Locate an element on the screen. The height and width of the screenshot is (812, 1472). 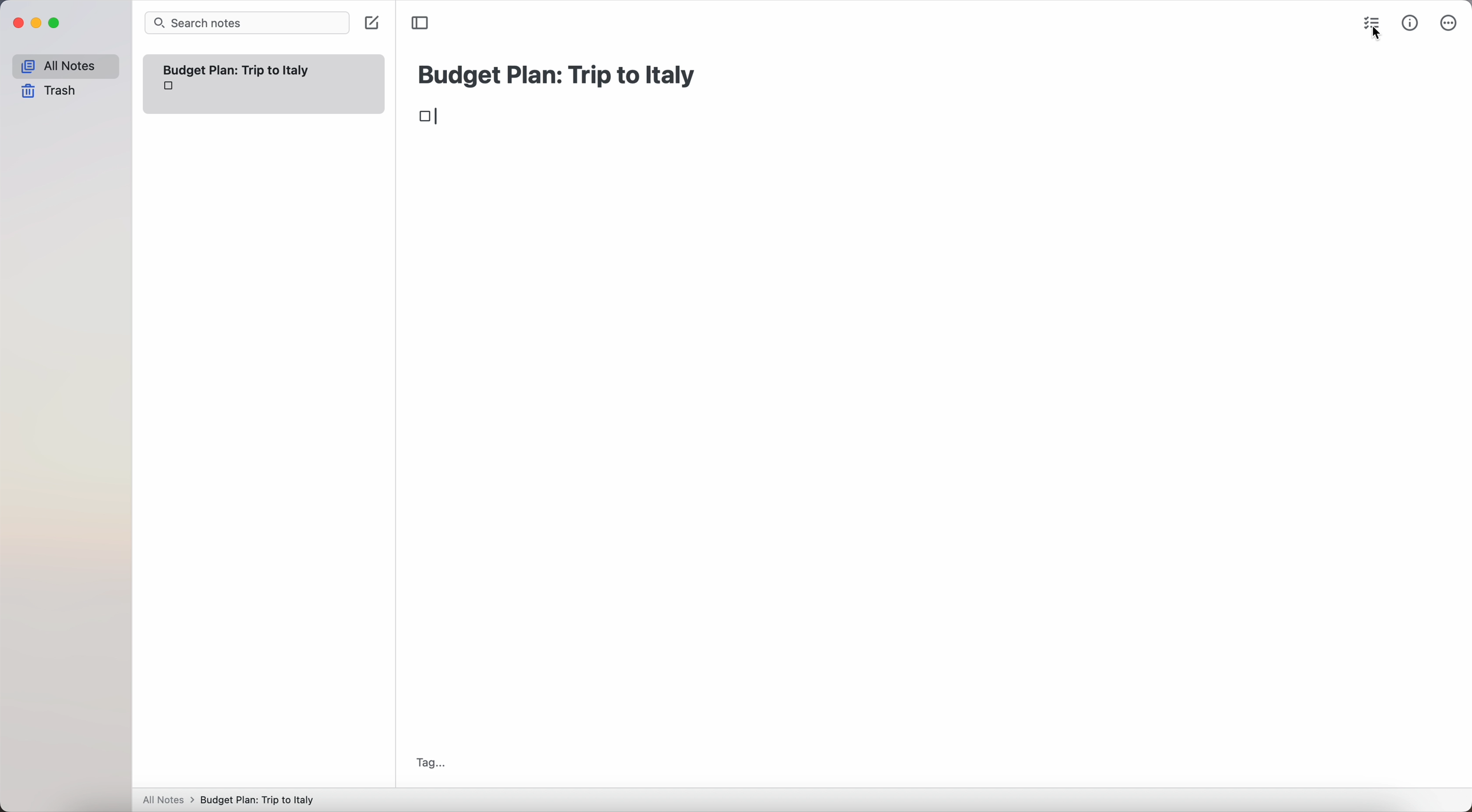
tag is located at coordinates (431, 763).